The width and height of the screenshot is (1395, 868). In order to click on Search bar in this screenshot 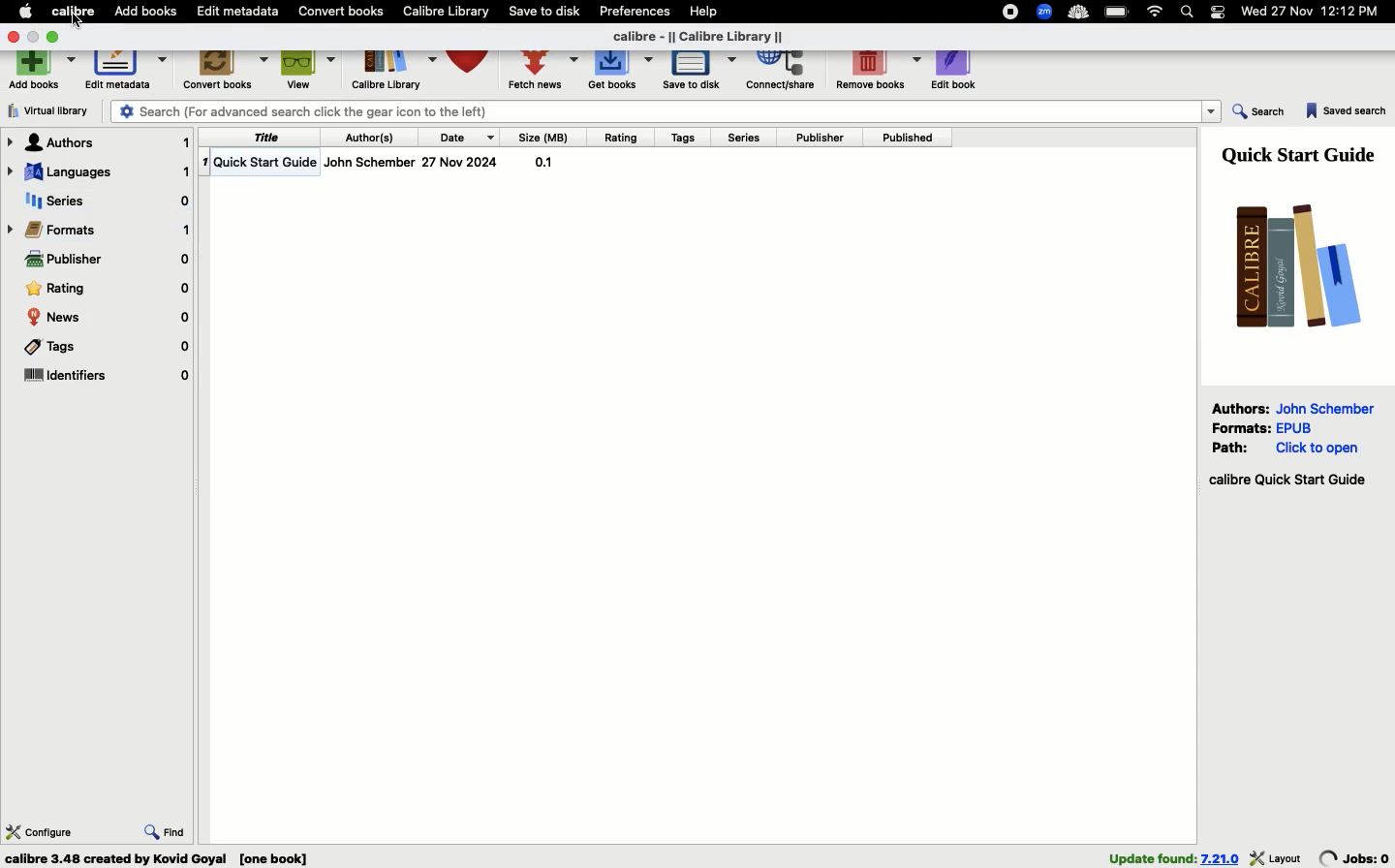, I will do `click(1189, 13)`.